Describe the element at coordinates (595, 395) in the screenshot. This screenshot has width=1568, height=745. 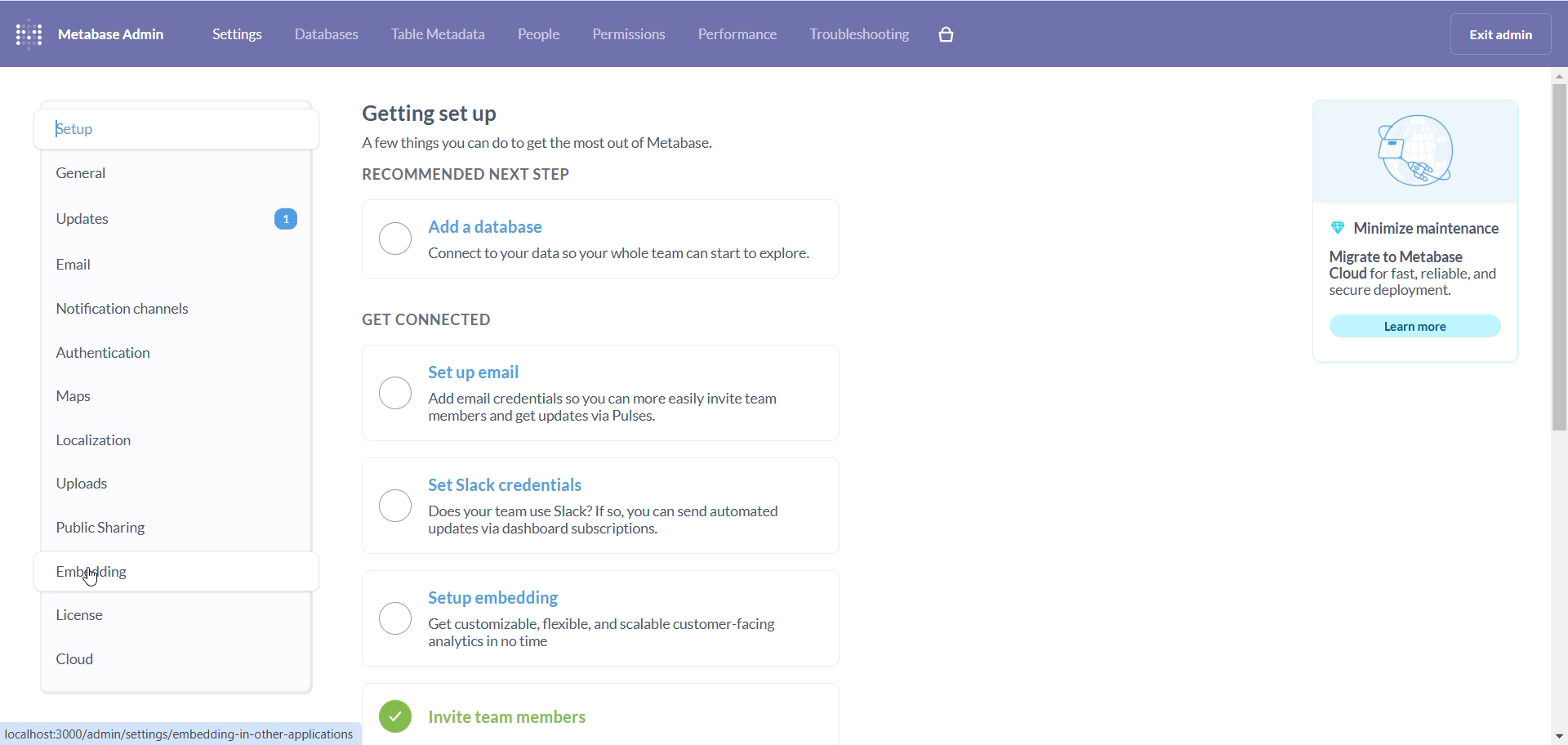
I see `~ Set up email
O ‘Add email credentials so you can more easily invite team
members and get updates via Pulses.` at that location.